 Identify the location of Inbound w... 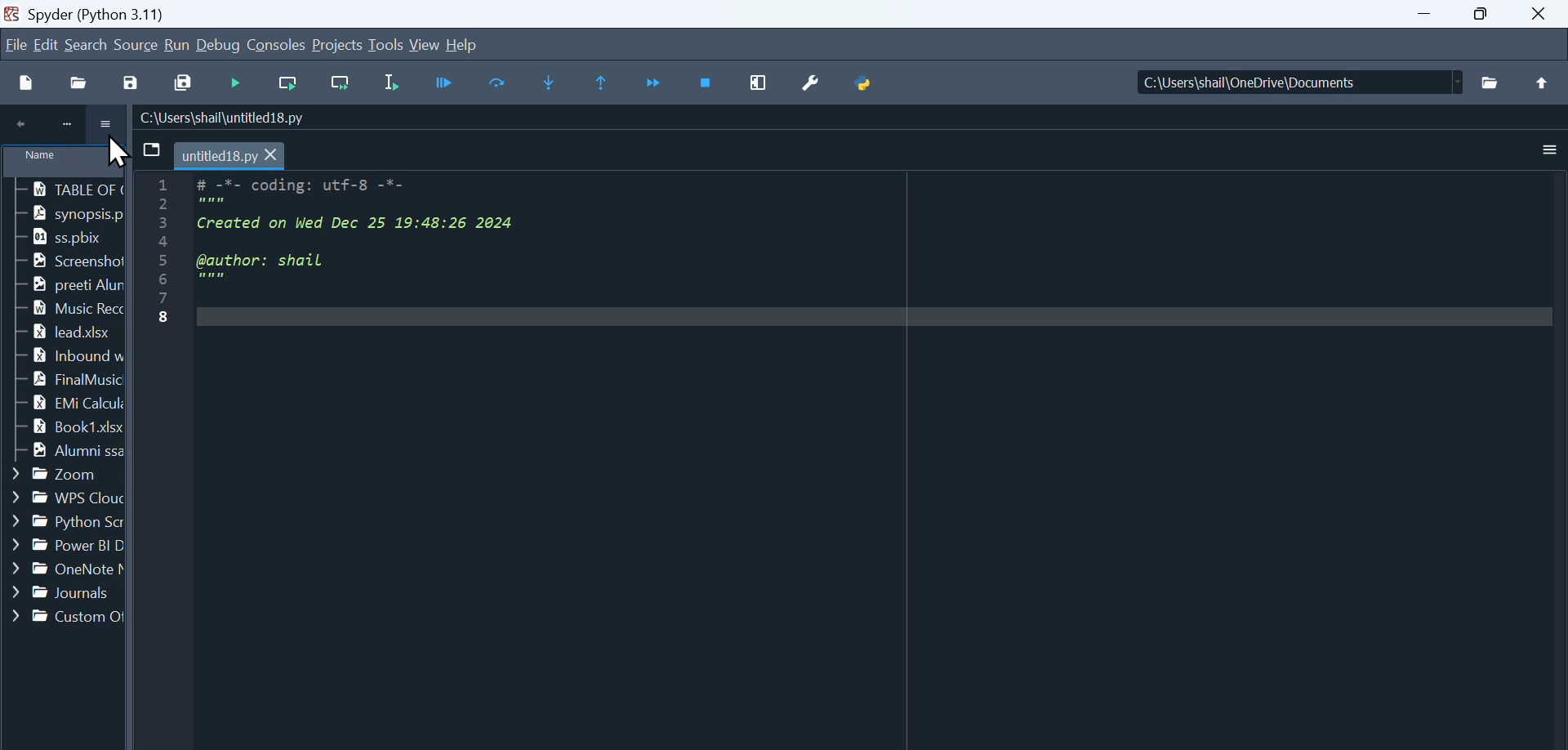
(62, 355).